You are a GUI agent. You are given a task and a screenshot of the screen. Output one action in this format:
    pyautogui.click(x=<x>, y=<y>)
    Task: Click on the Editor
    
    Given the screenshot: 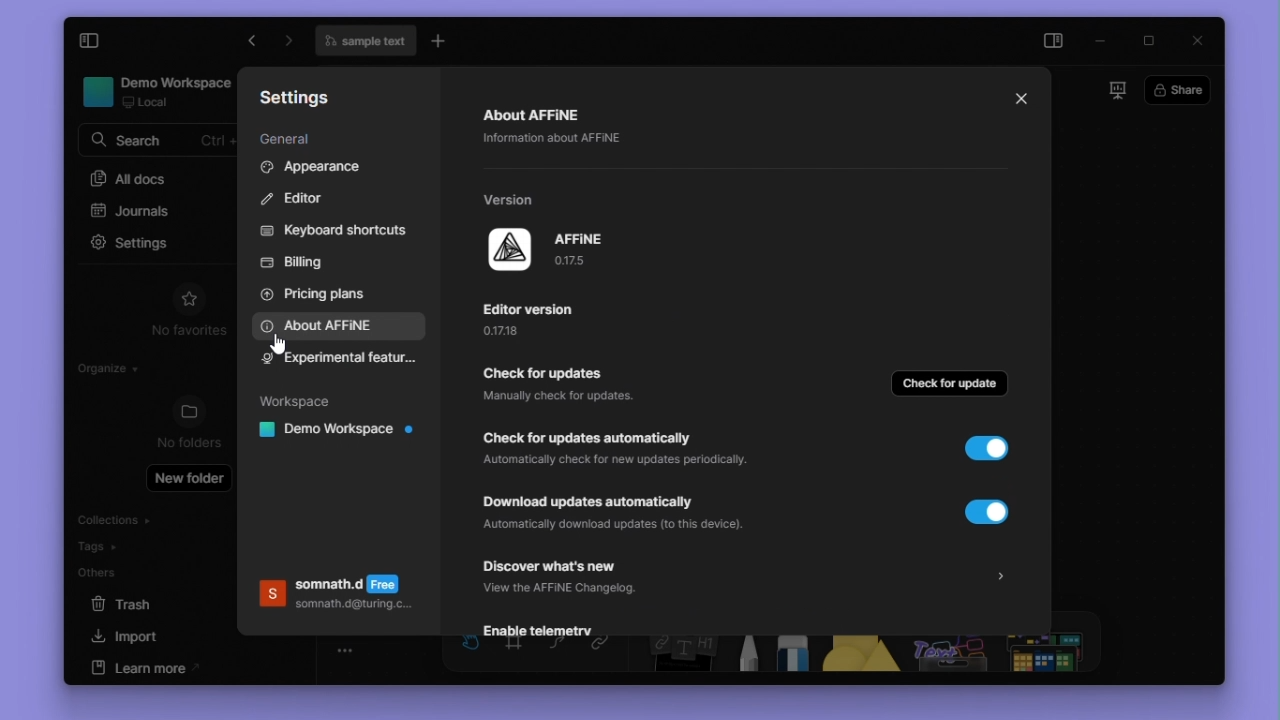 What is the action you would take?
    pyautogui.click(x=299, y=197)
    